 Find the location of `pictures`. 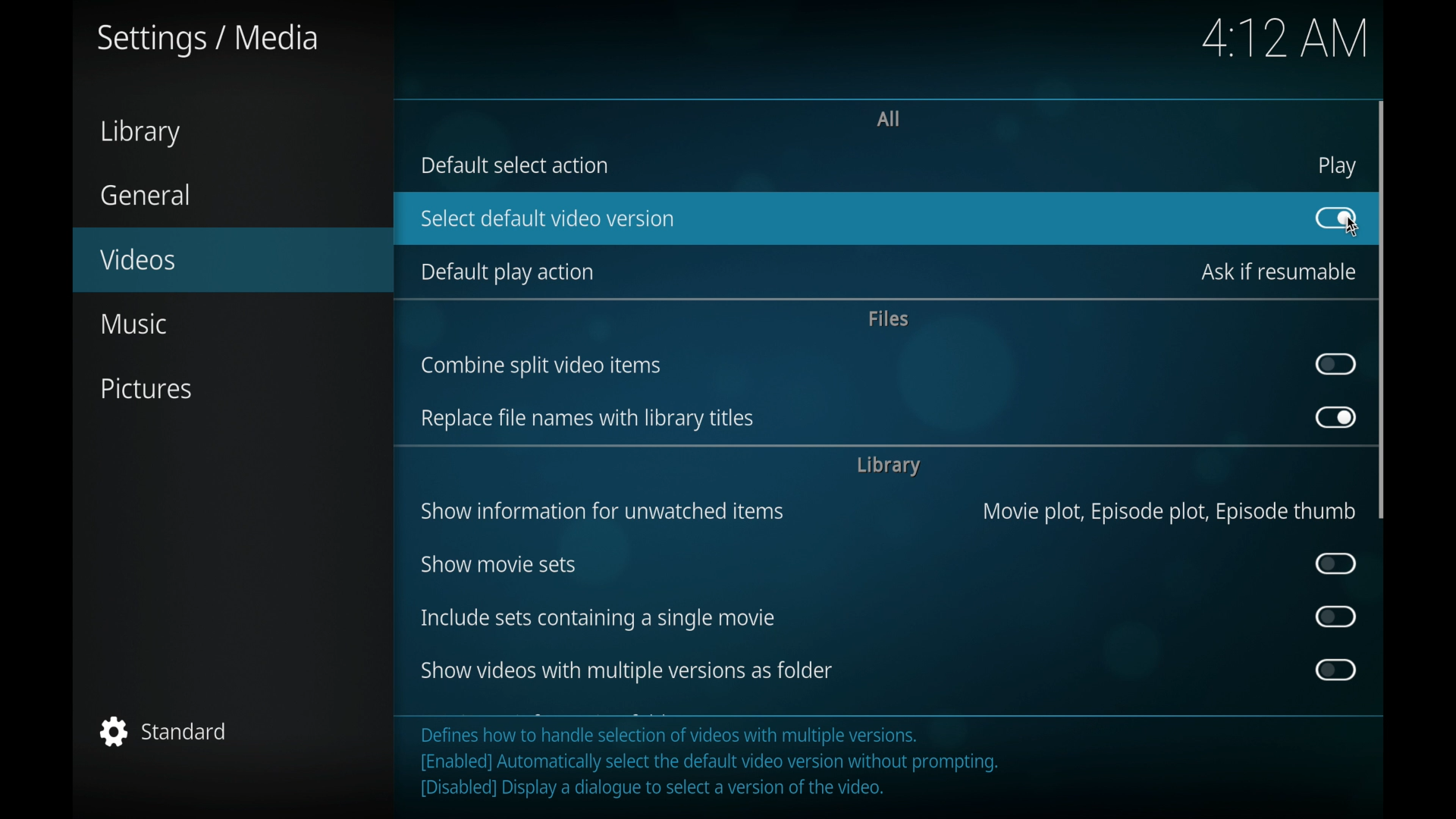

pictures is located at coordinates (149, 389).